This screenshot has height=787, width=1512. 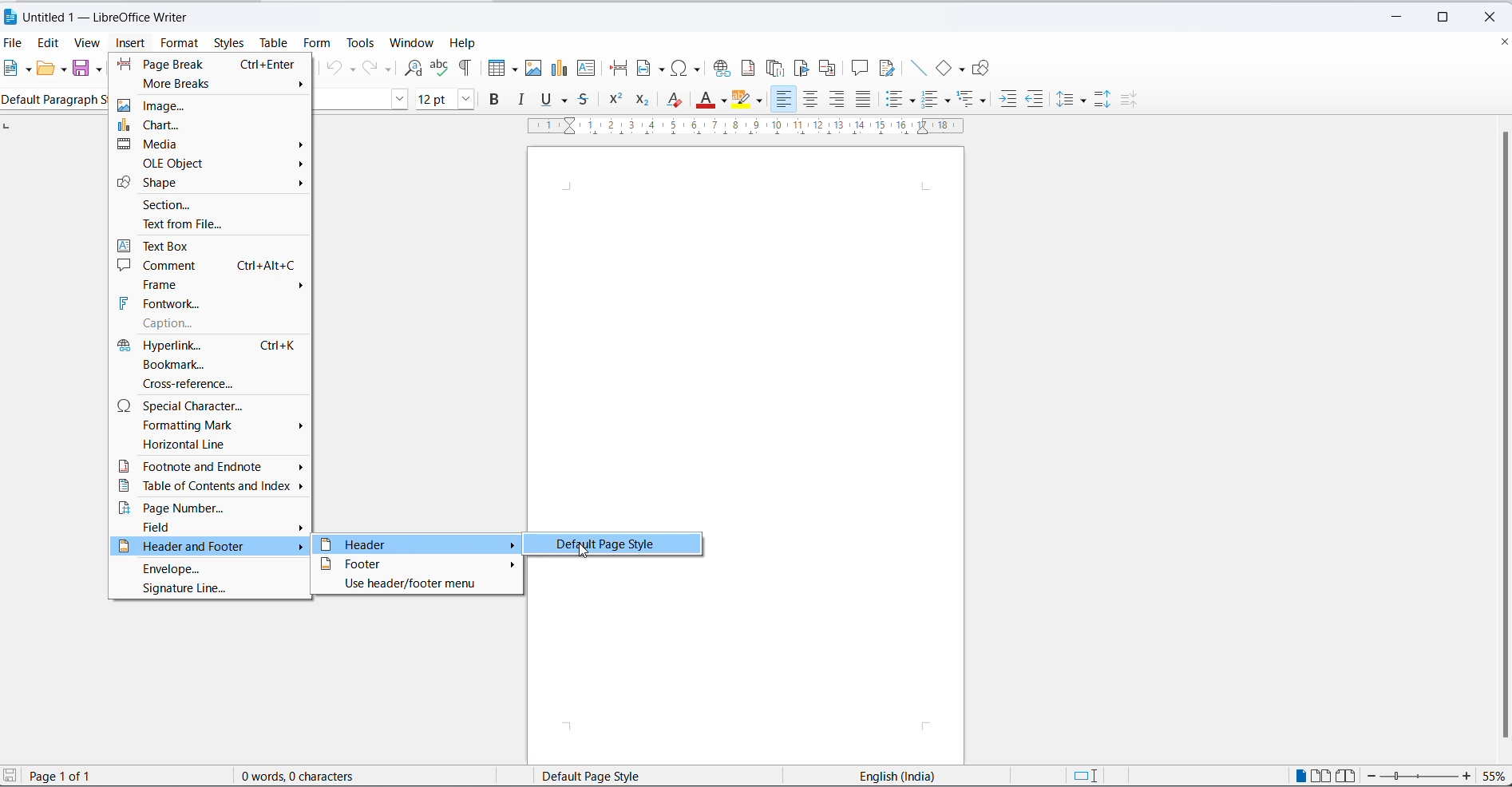 What do you see at coordinates (214, 225) in the screenshot?
I see `text from file` at bounding box center [214, 225].